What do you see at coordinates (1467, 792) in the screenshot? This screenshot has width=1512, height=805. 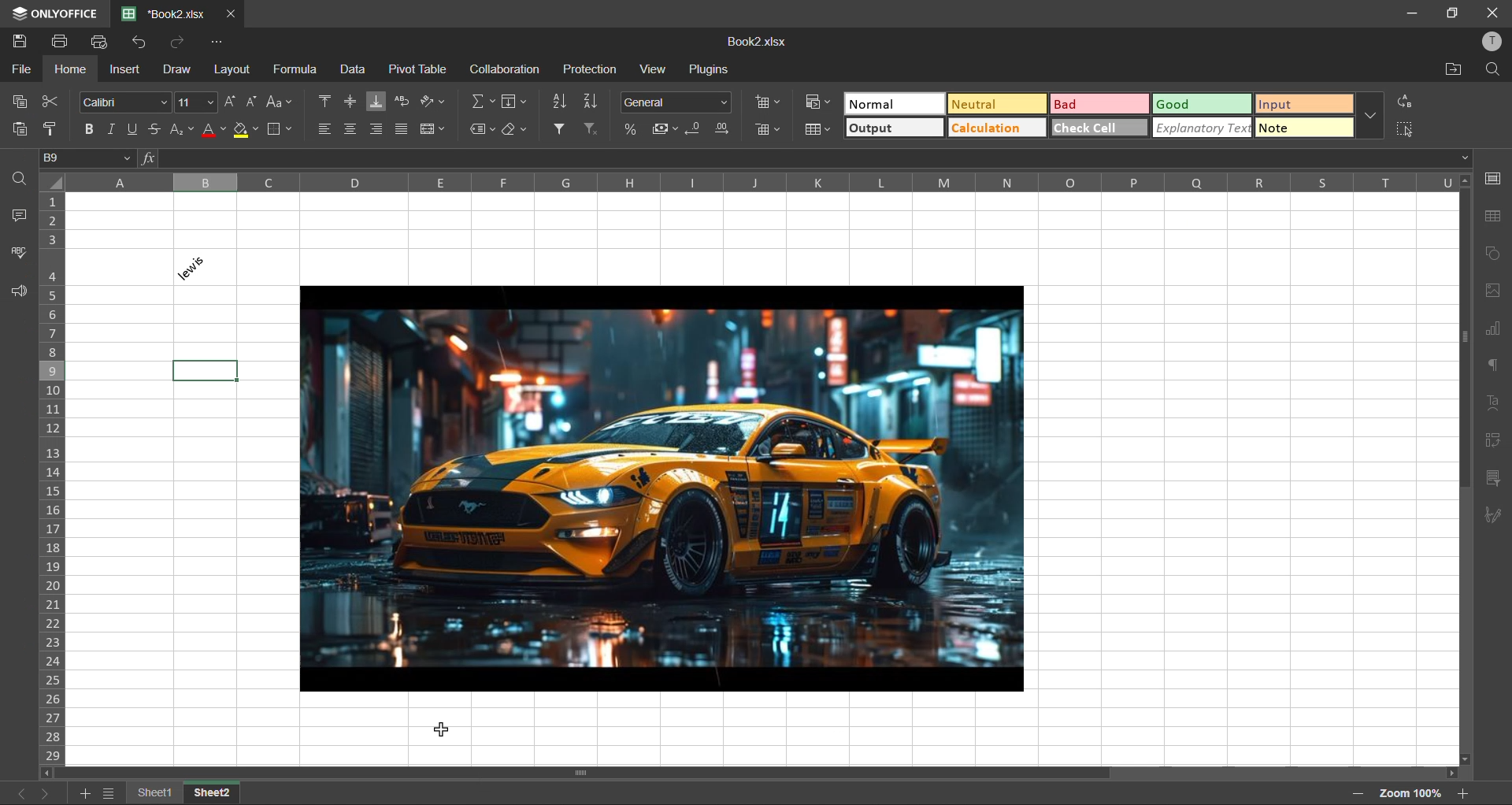 I see `zoom in` at bounding box center [1467, 792].